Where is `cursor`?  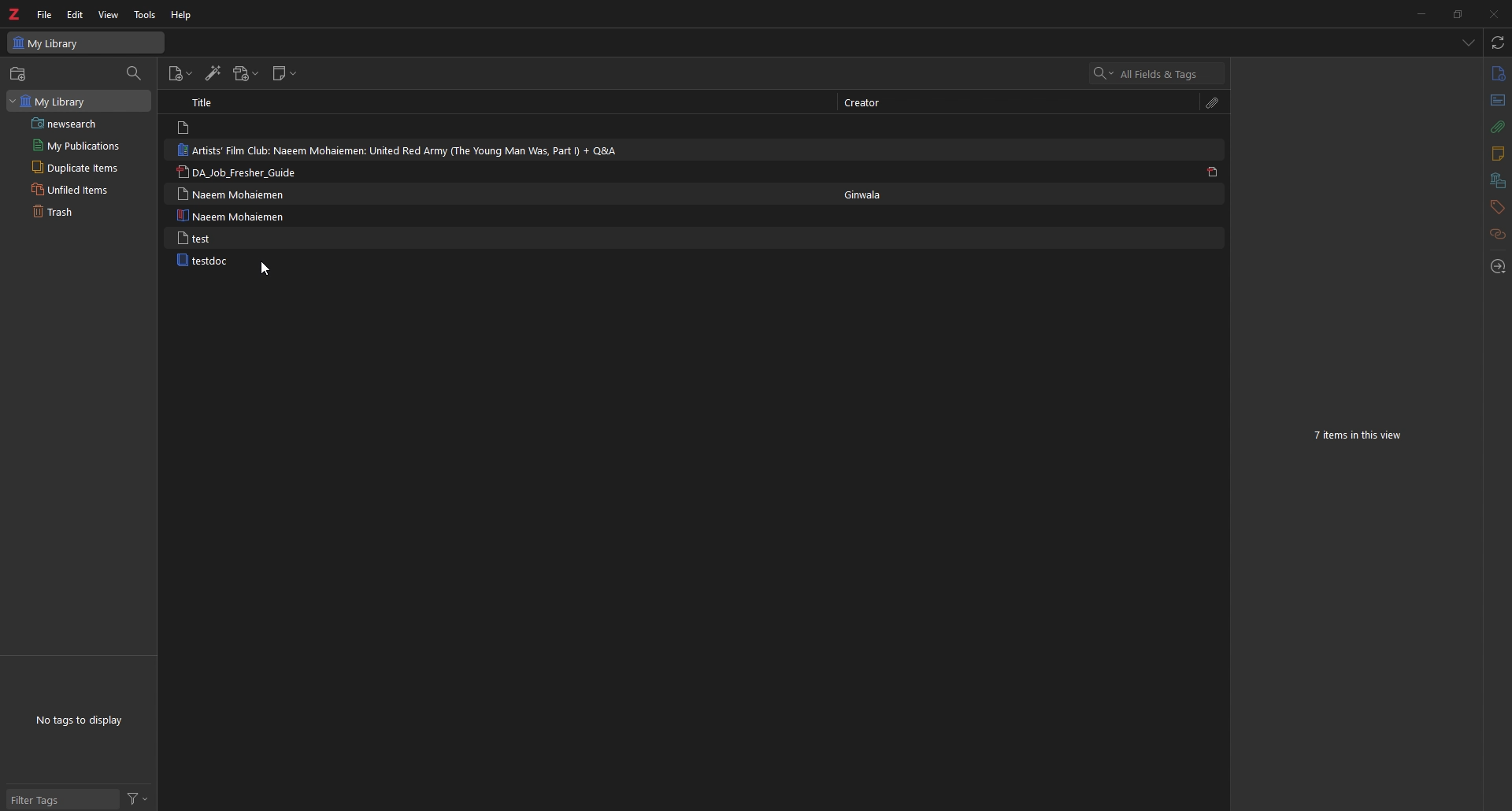 cursor is located at coordinates (266, 269).